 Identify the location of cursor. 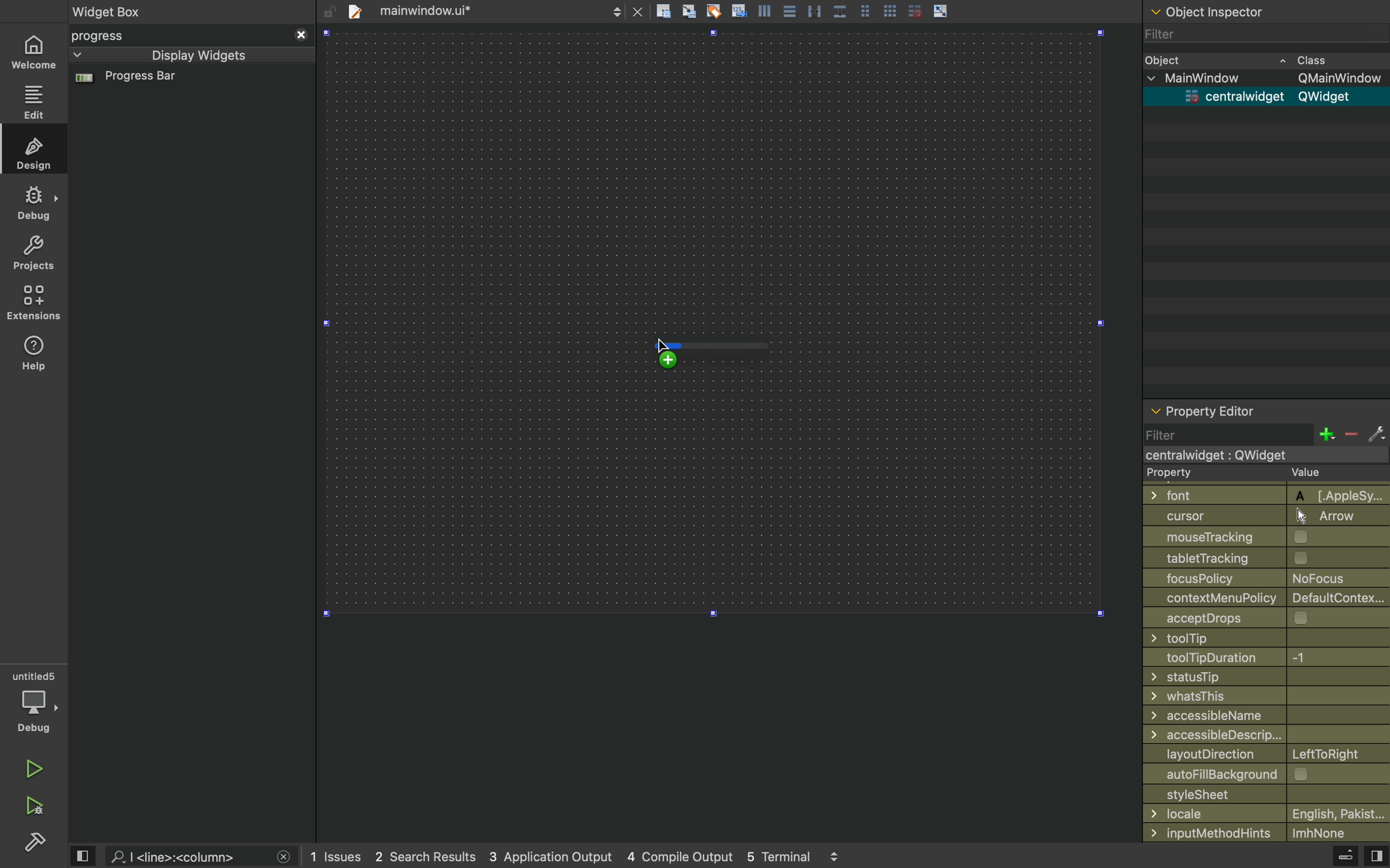
(669, 347).